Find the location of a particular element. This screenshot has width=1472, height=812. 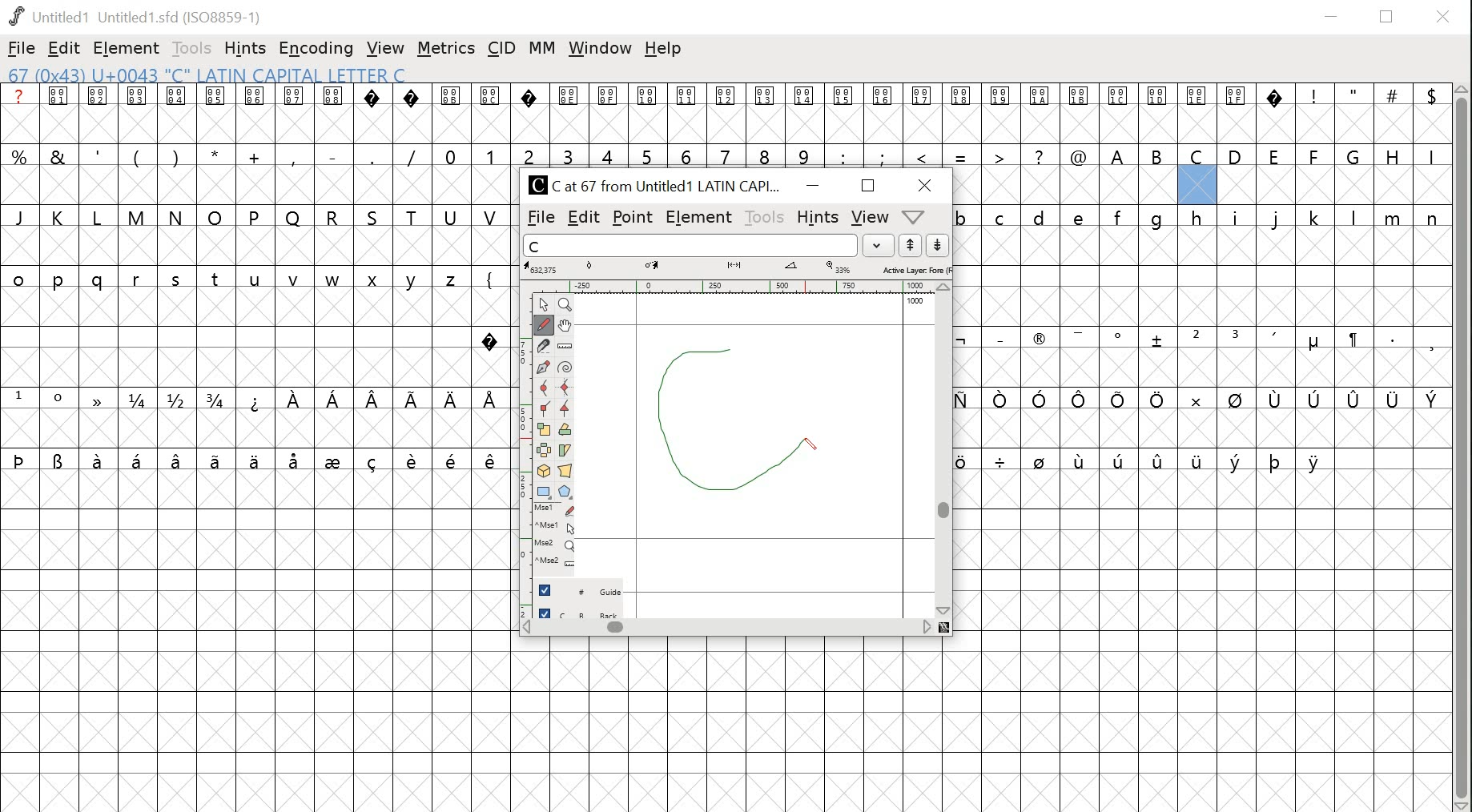

minimize is located at coordinates (1333, 14).